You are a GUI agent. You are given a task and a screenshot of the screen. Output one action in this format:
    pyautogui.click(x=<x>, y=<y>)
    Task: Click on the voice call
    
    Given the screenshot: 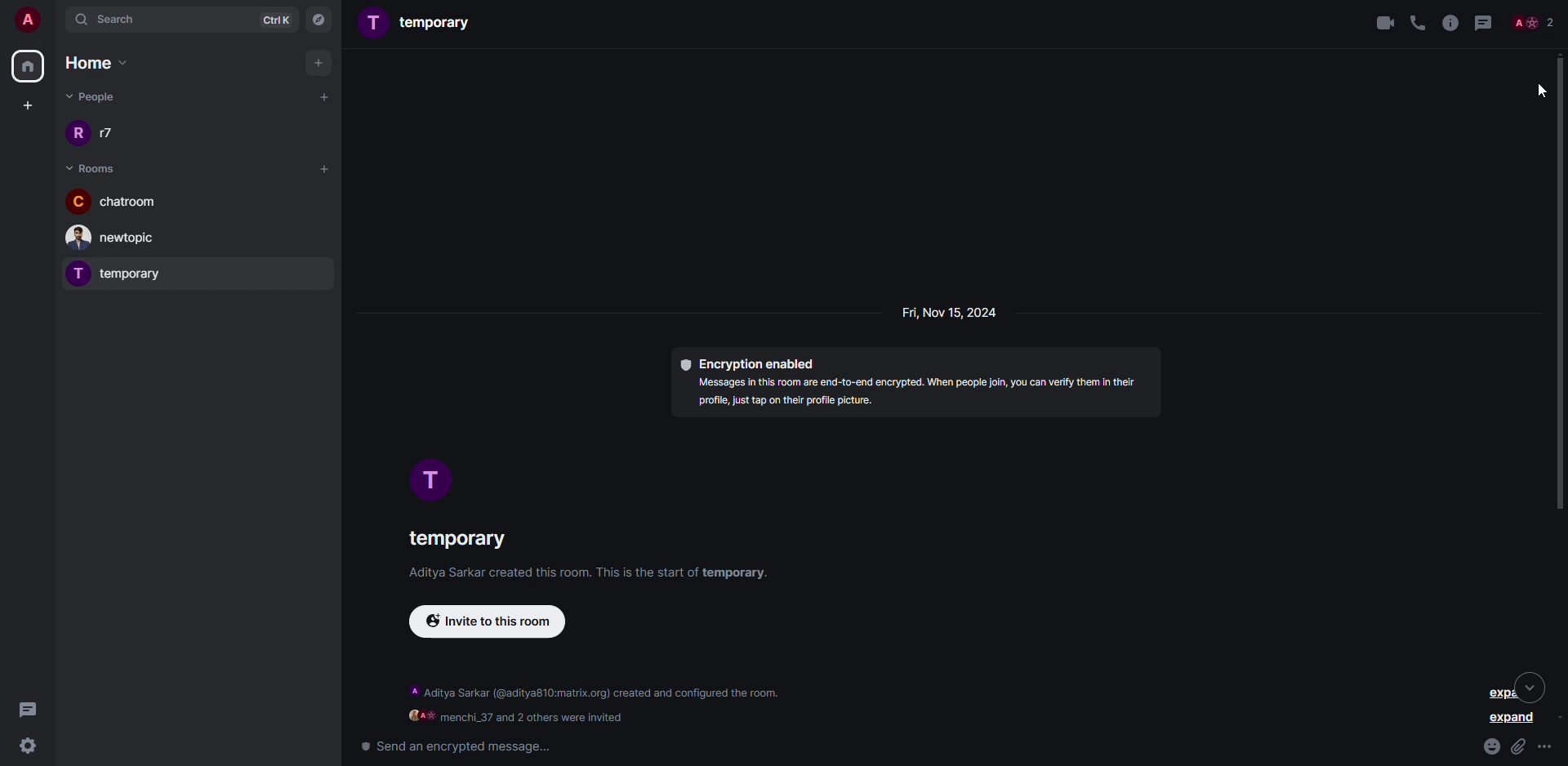 What is the action you would take?
    pyautogui.click(x=1416, y=22)
    